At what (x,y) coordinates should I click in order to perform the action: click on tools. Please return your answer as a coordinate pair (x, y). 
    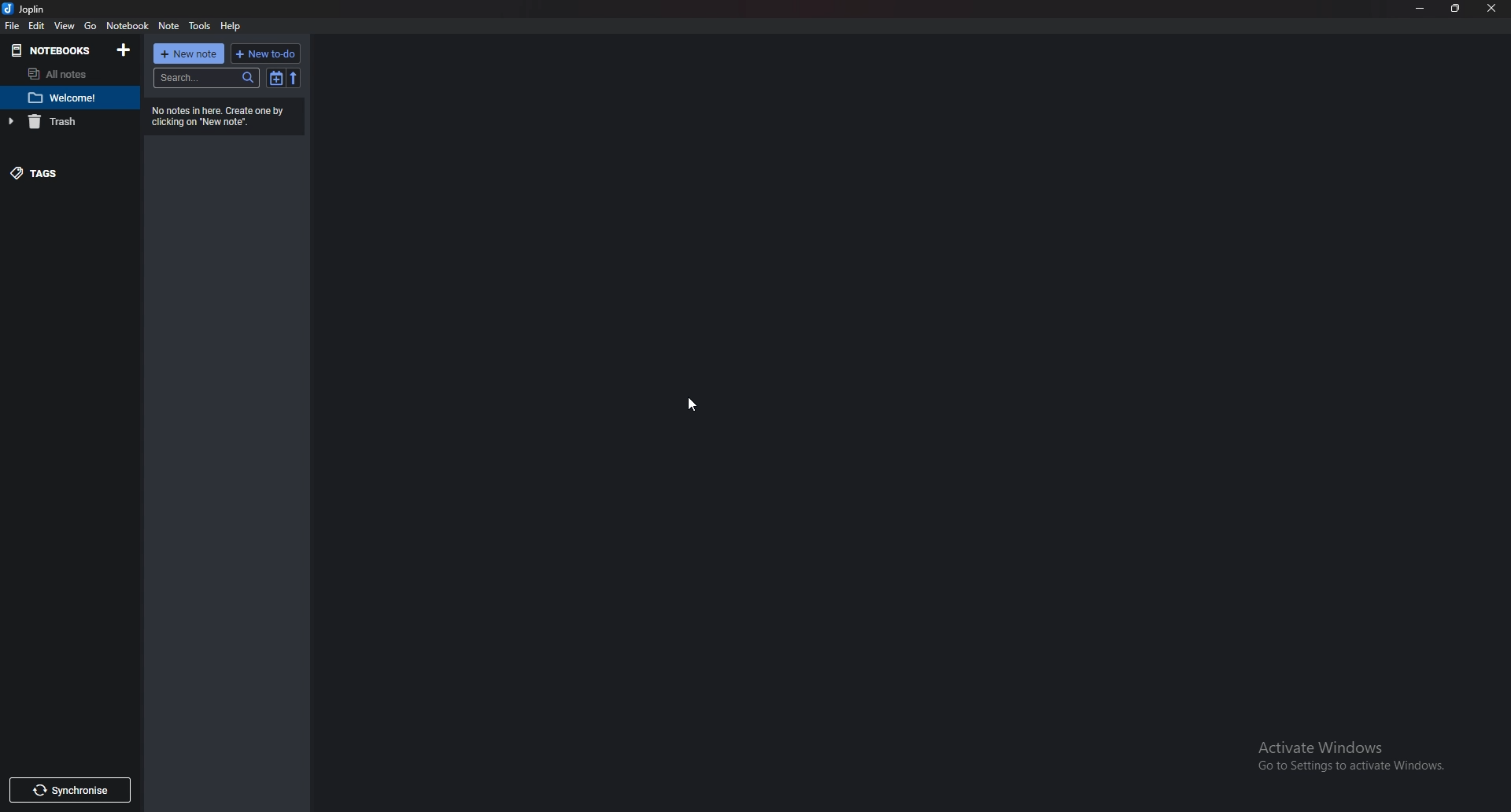
    Looking at the image, I should click on (199, 25).